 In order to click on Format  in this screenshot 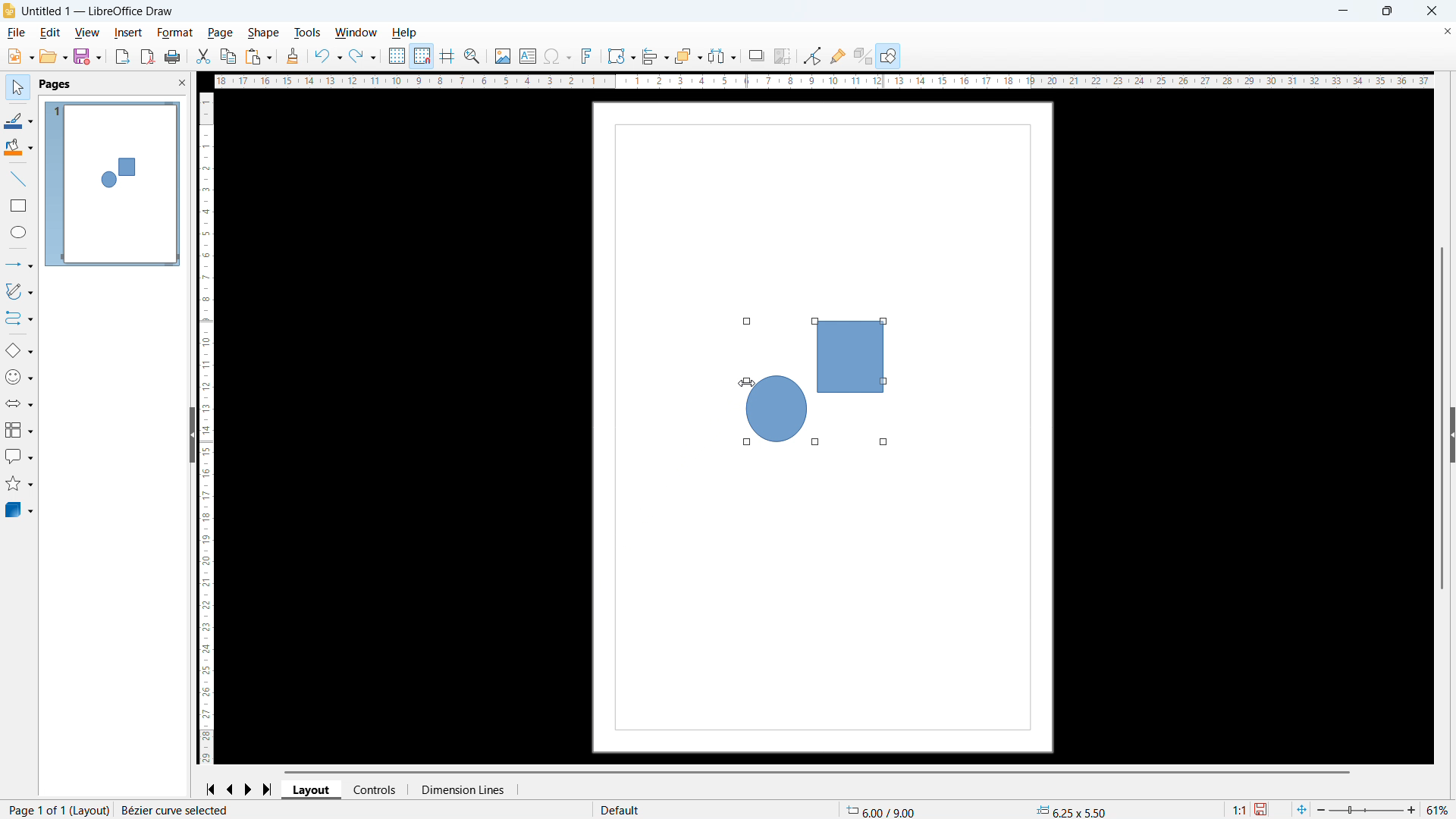, I will do `click(176, 33)`.